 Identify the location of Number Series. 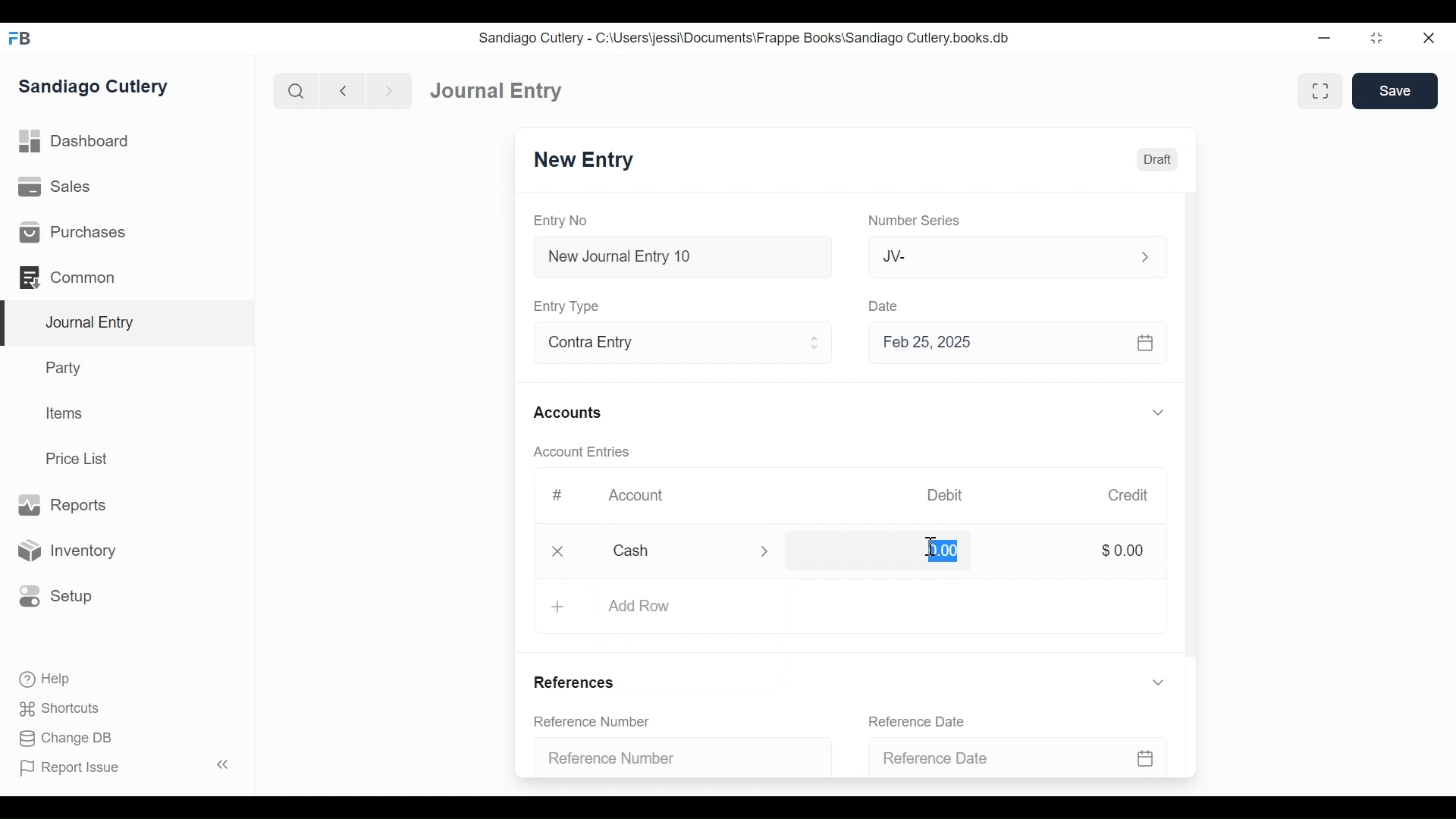
(917, 221).